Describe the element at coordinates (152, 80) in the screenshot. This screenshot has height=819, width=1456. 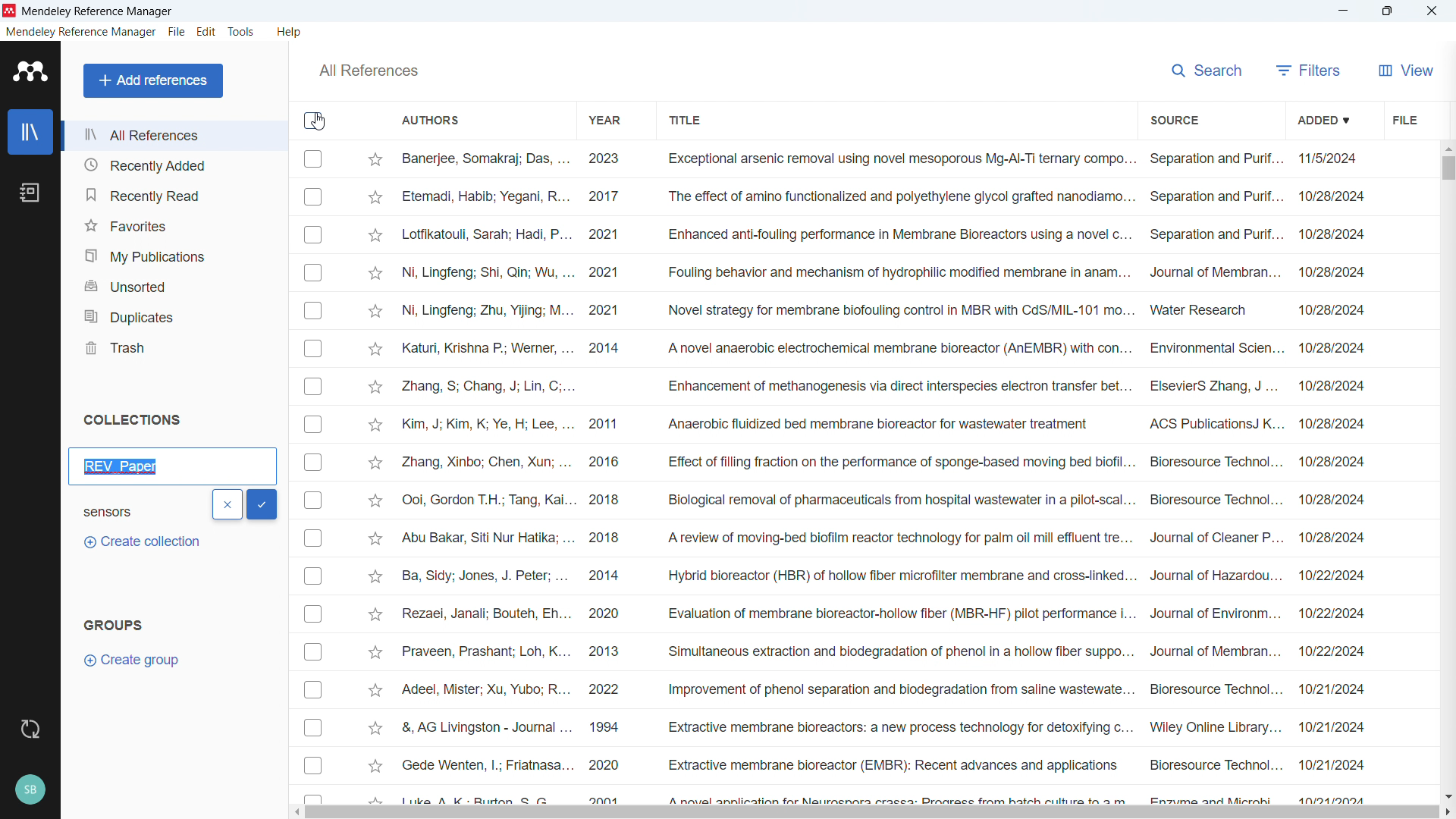
I see `Add references ` at that location.